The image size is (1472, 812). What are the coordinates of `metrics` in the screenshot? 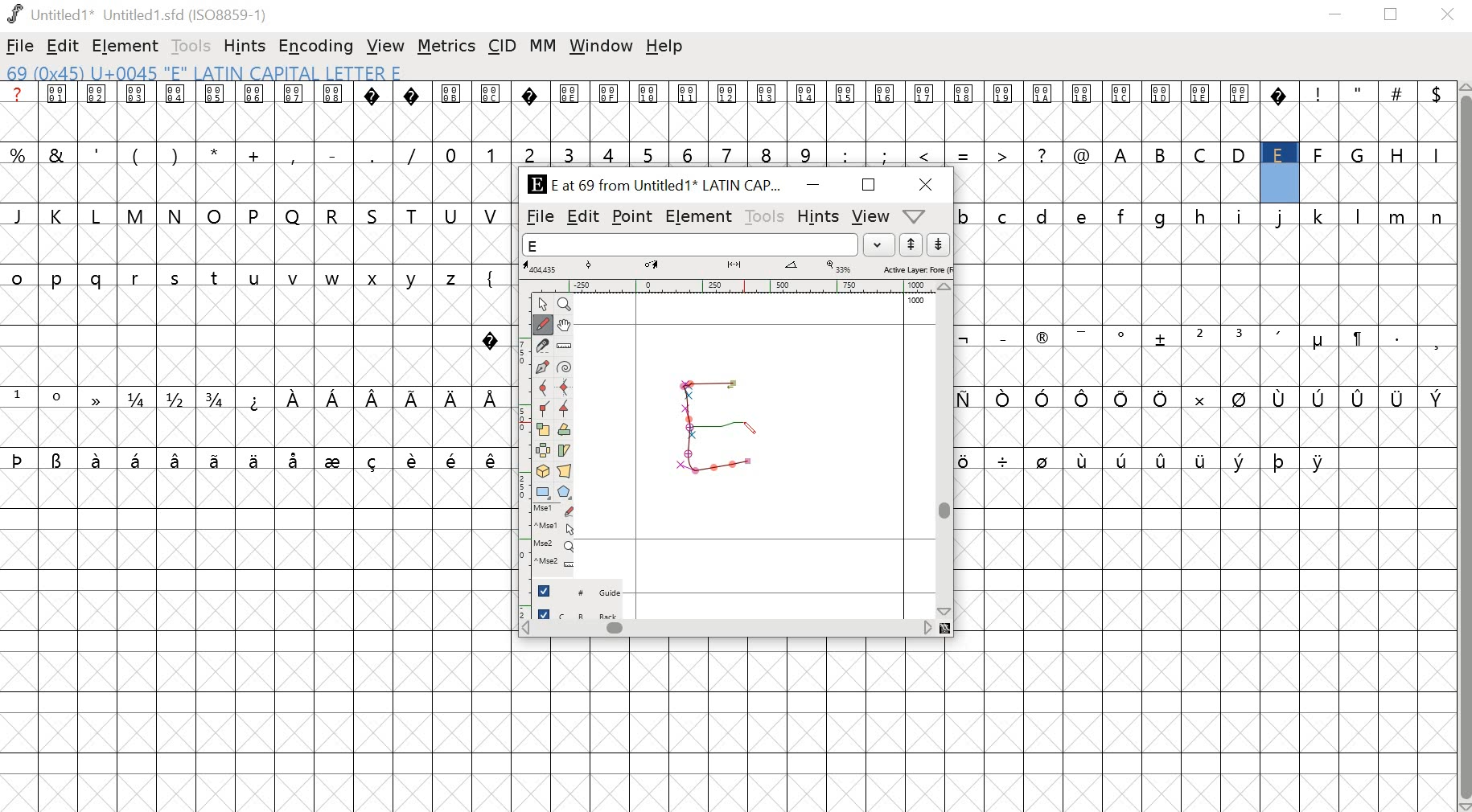 It's located at (446, 48).